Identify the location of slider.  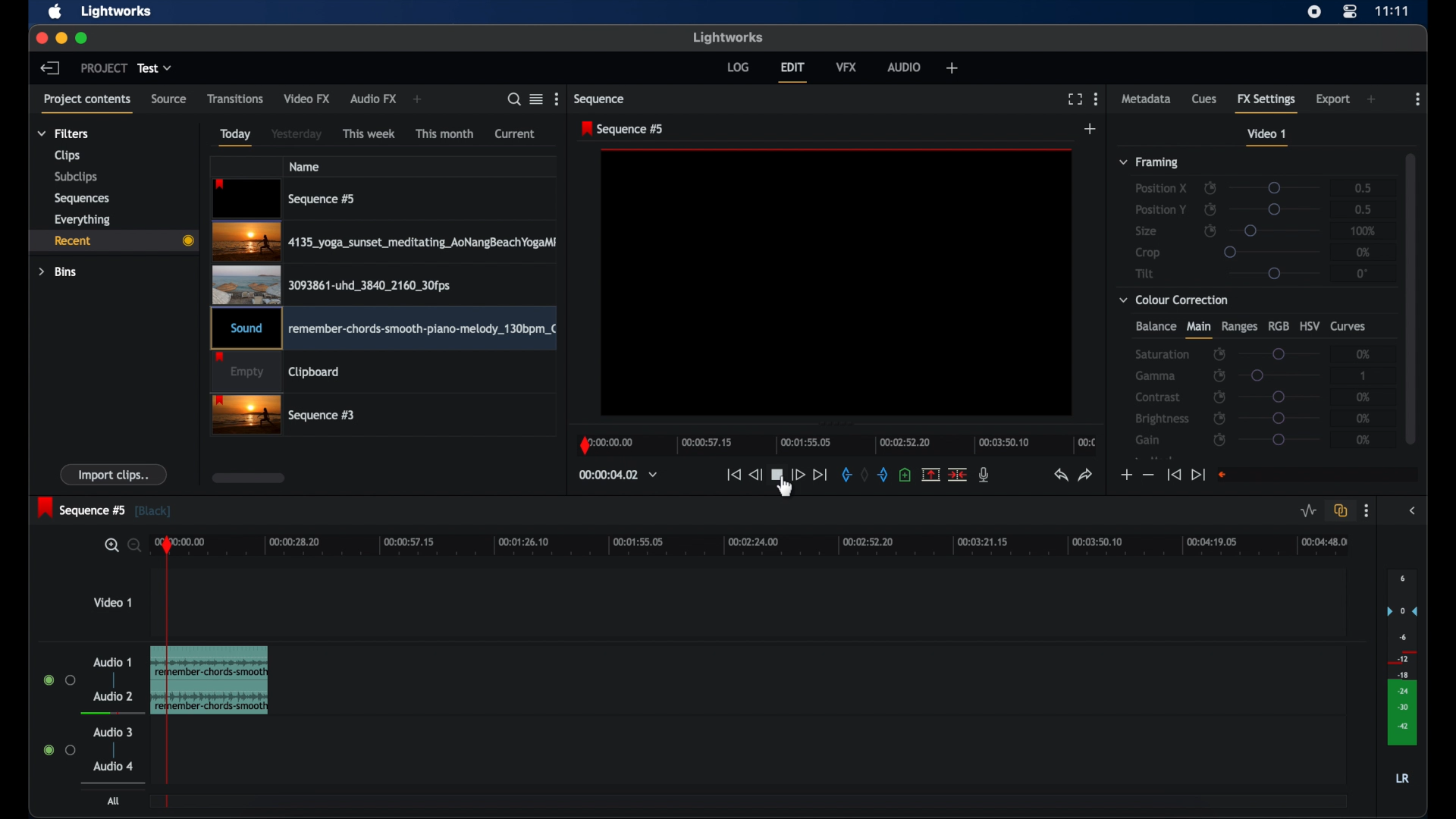
(1279, 397).